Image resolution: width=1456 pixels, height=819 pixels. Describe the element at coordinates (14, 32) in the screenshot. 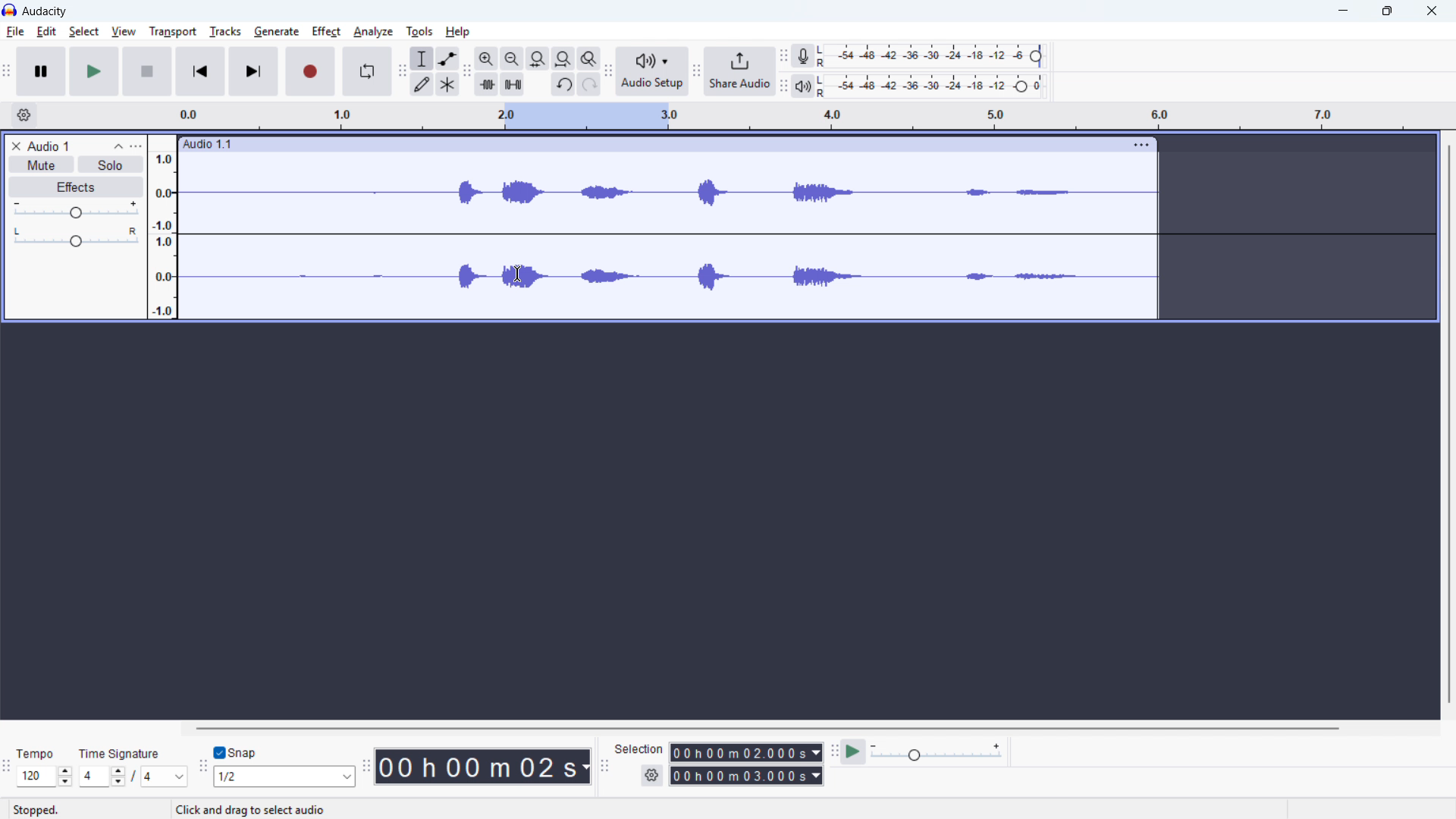

I see `File` at that location.